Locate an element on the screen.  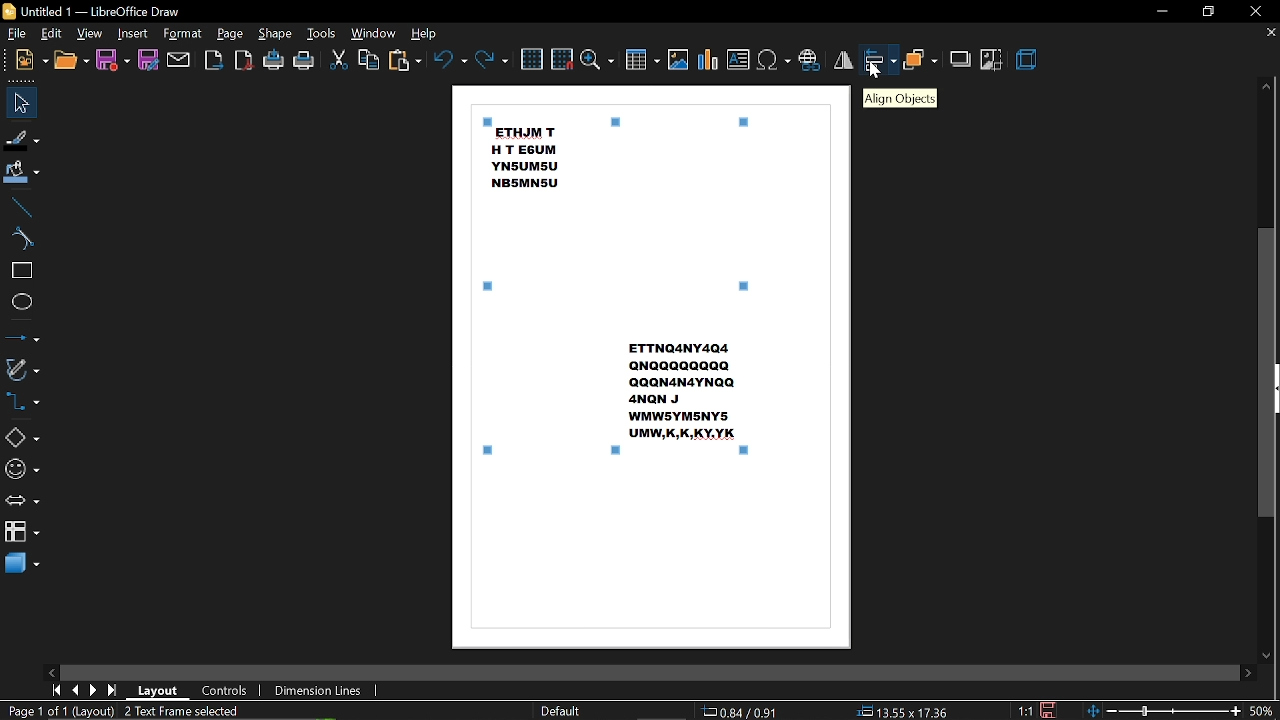
Move up is located at coordinates (1266, 88).